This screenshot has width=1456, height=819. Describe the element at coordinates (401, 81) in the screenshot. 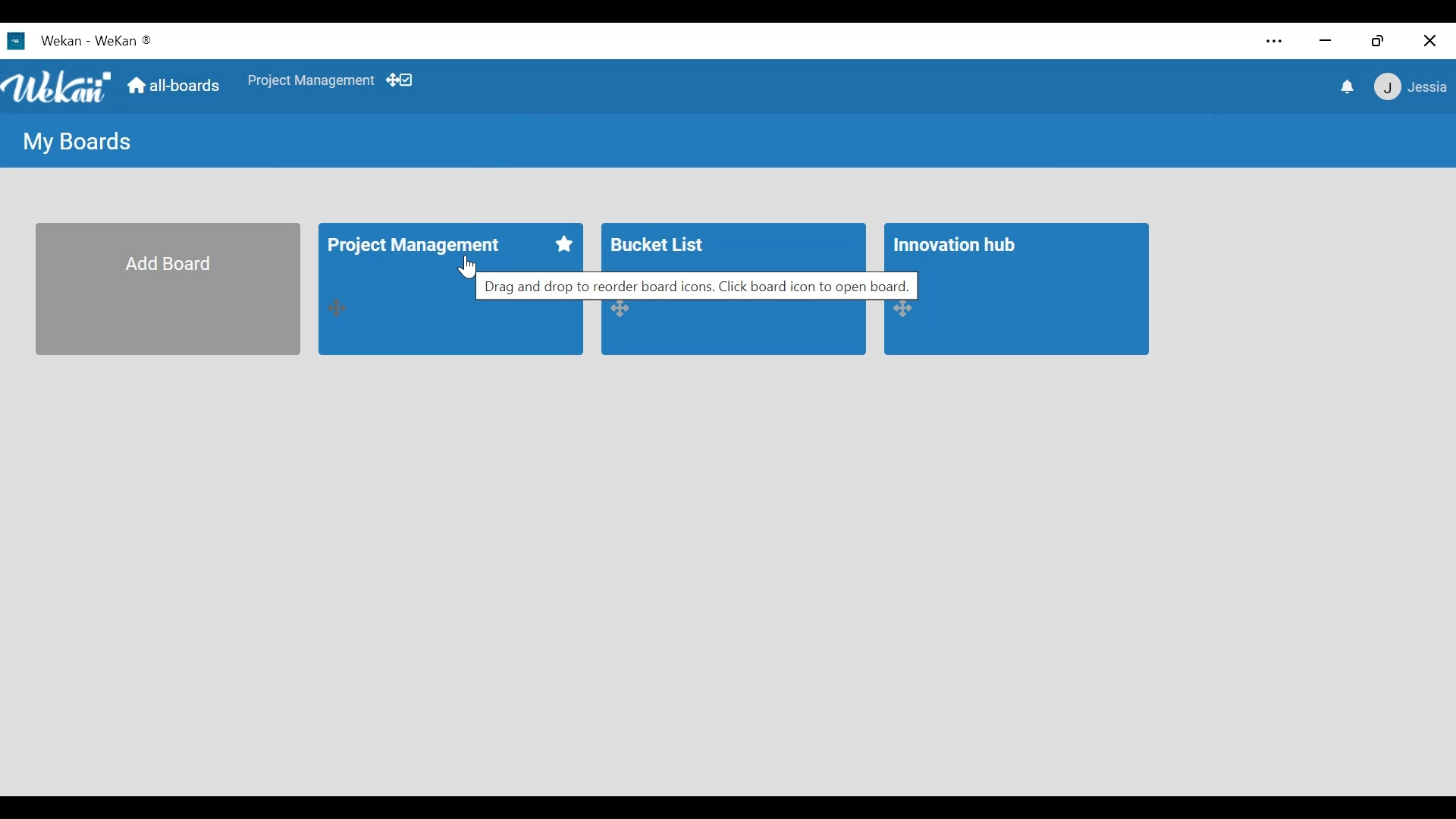

I see `Show/Hide Desktop drag handle` at that location.